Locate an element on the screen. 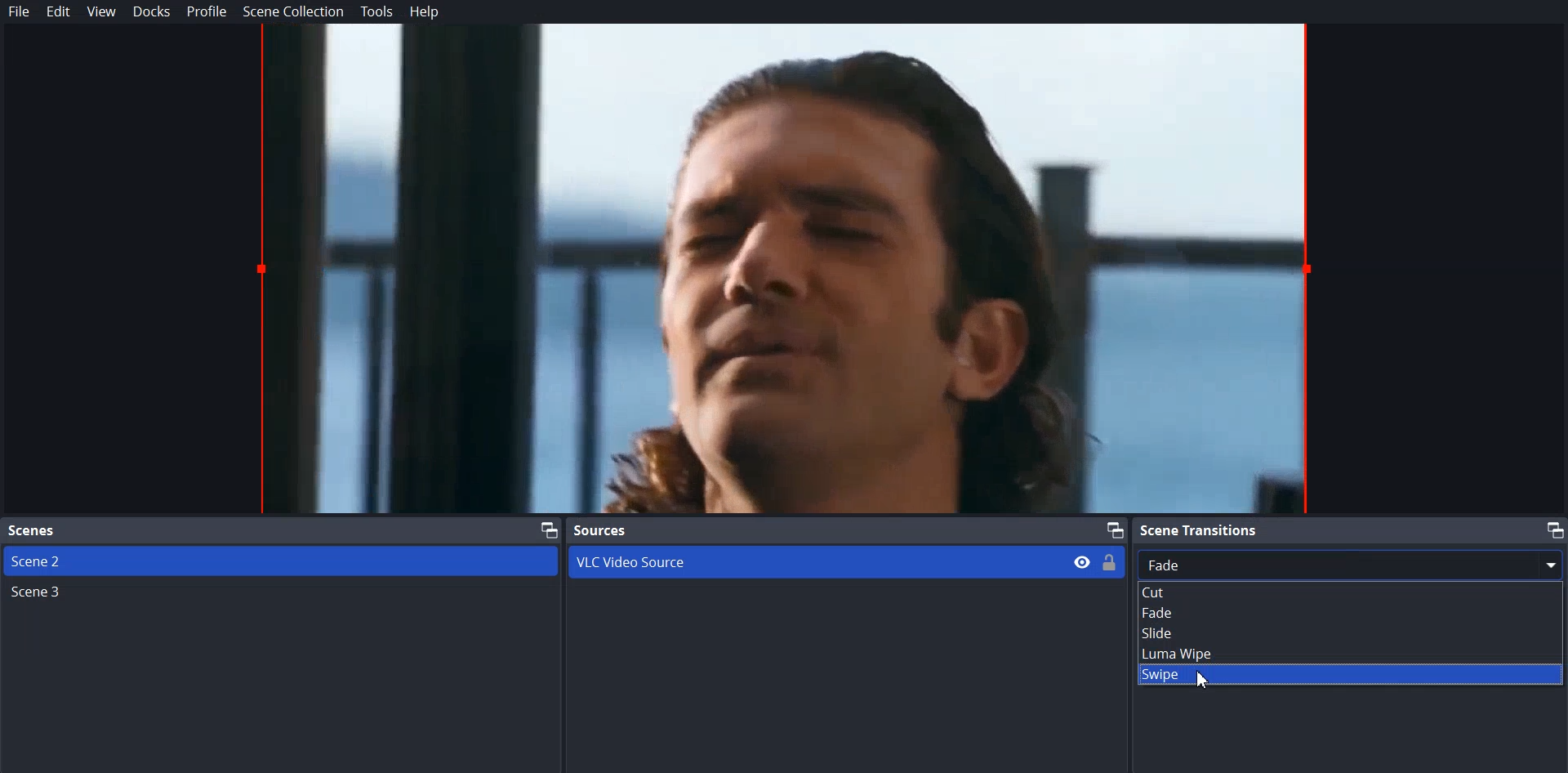  fade is located at coordinates (1352, 564).